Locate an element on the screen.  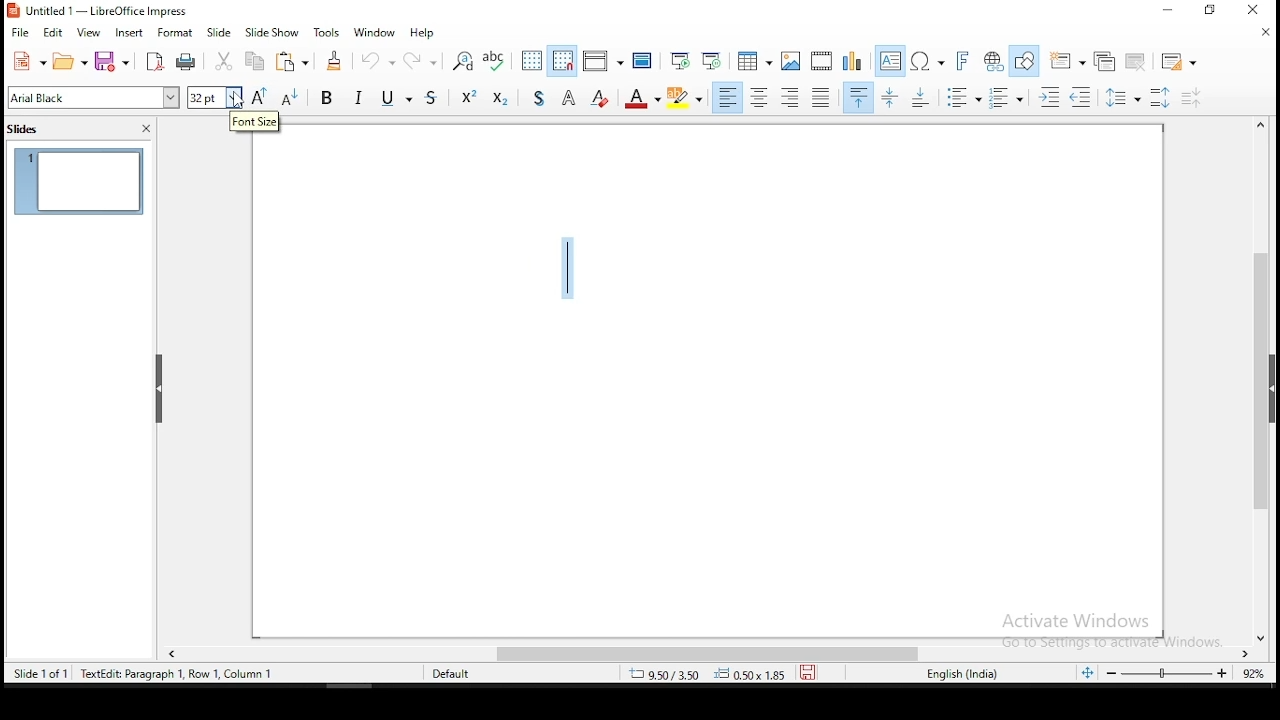
insert special characters is located at coordinates (927, 61).